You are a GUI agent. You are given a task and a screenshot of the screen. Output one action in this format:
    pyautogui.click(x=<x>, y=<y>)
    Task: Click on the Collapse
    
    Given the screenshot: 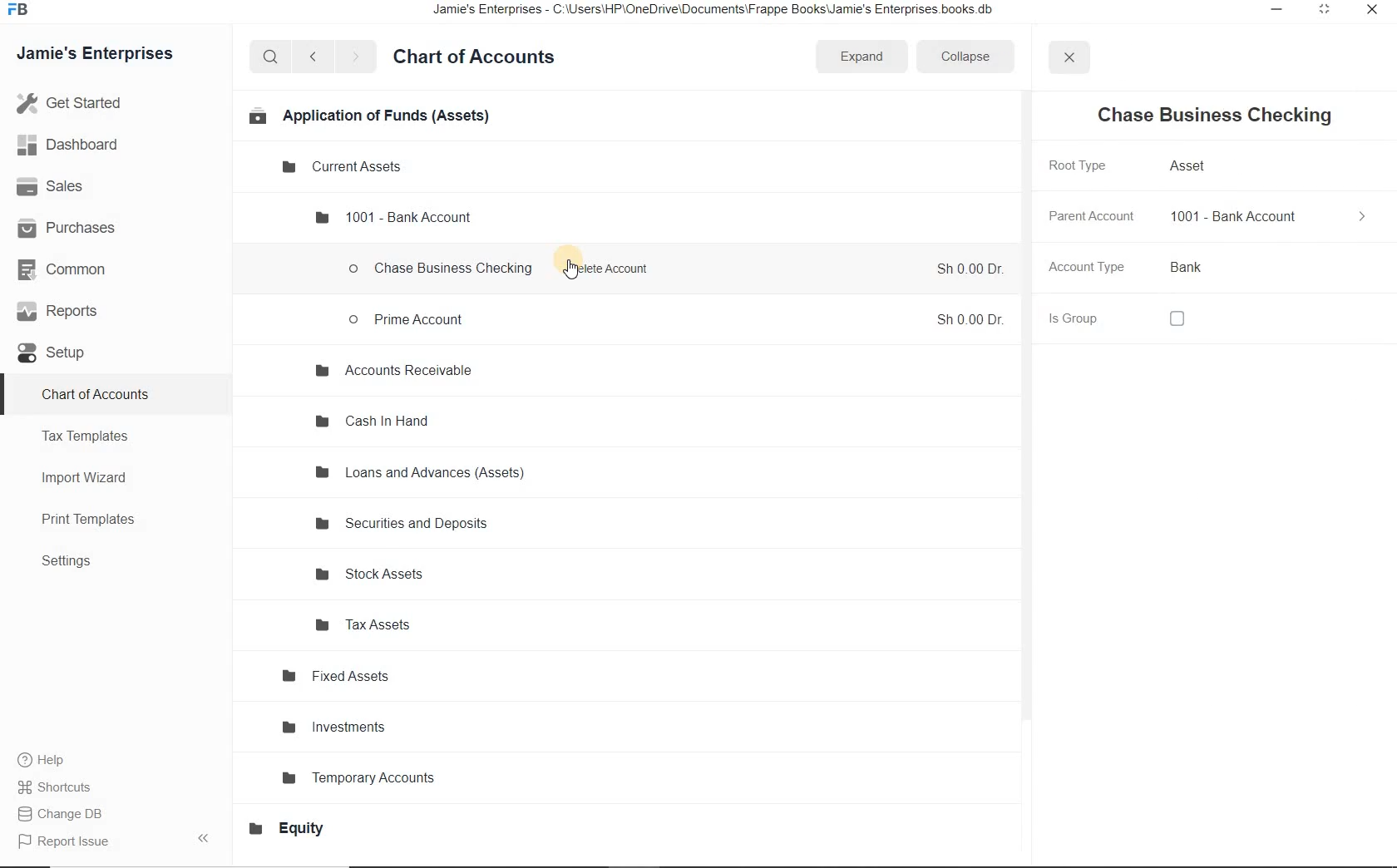 What is the action you would take?
    pyautogui.click(x=971, y=57)
    